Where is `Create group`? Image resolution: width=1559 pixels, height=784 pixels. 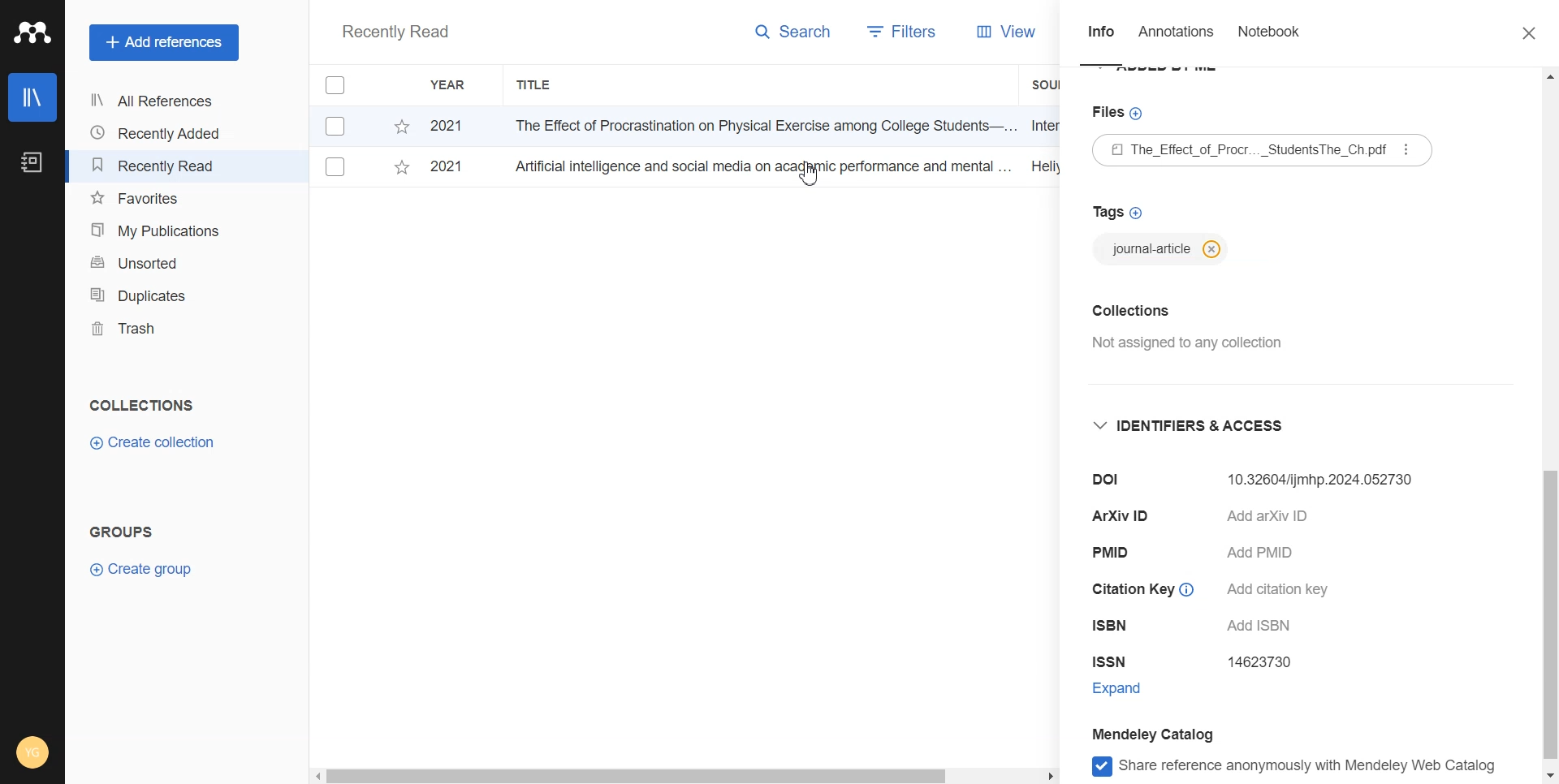 Create group is located at coordinates (142, 567).